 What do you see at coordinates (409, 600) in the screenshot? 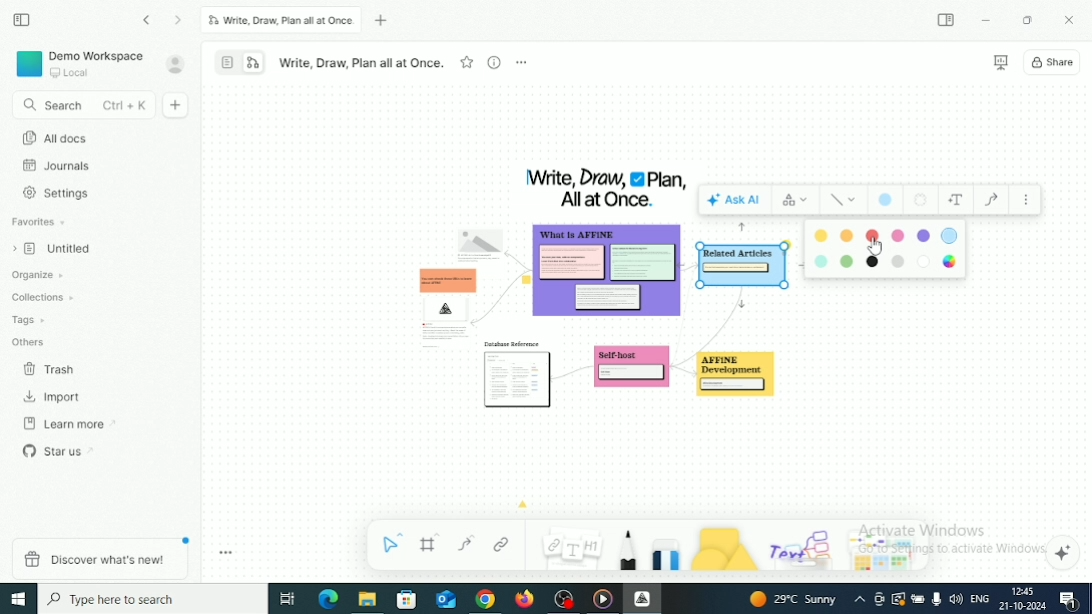
I see `Microsoft store` at bounding box center [409, 600].